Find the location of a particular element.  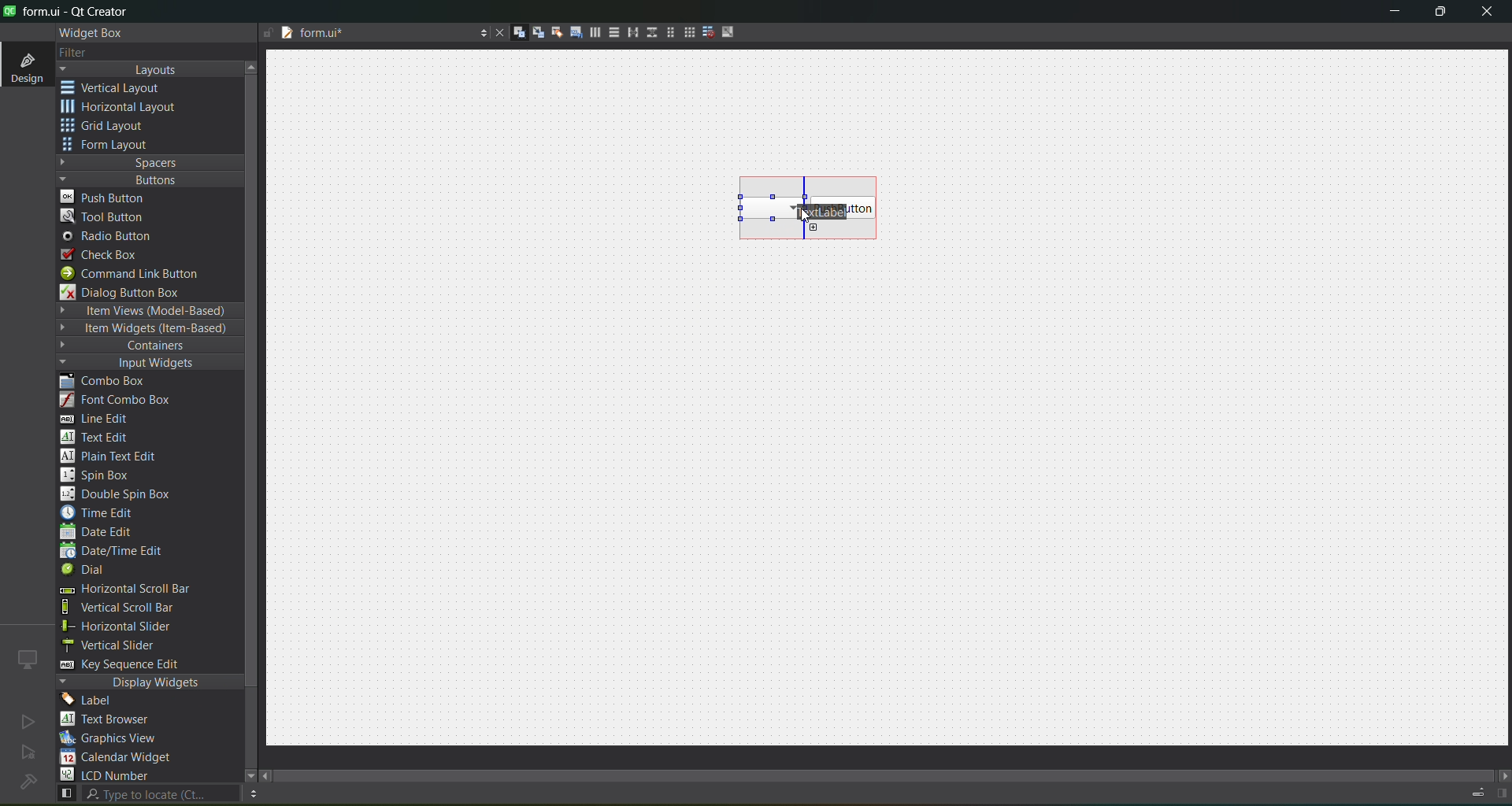

dial is located at coordinates (88, 571).